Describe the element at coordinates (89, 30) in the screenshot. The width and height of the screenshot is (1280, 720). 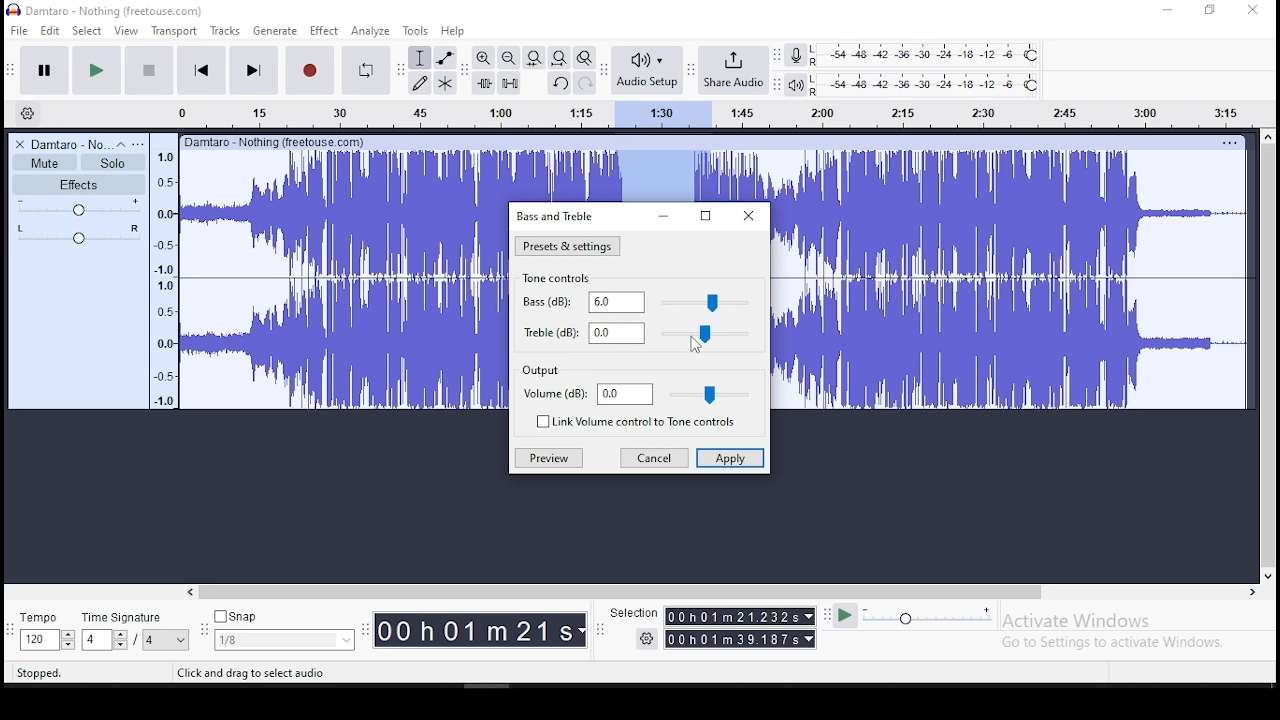
I see `select` at that location.